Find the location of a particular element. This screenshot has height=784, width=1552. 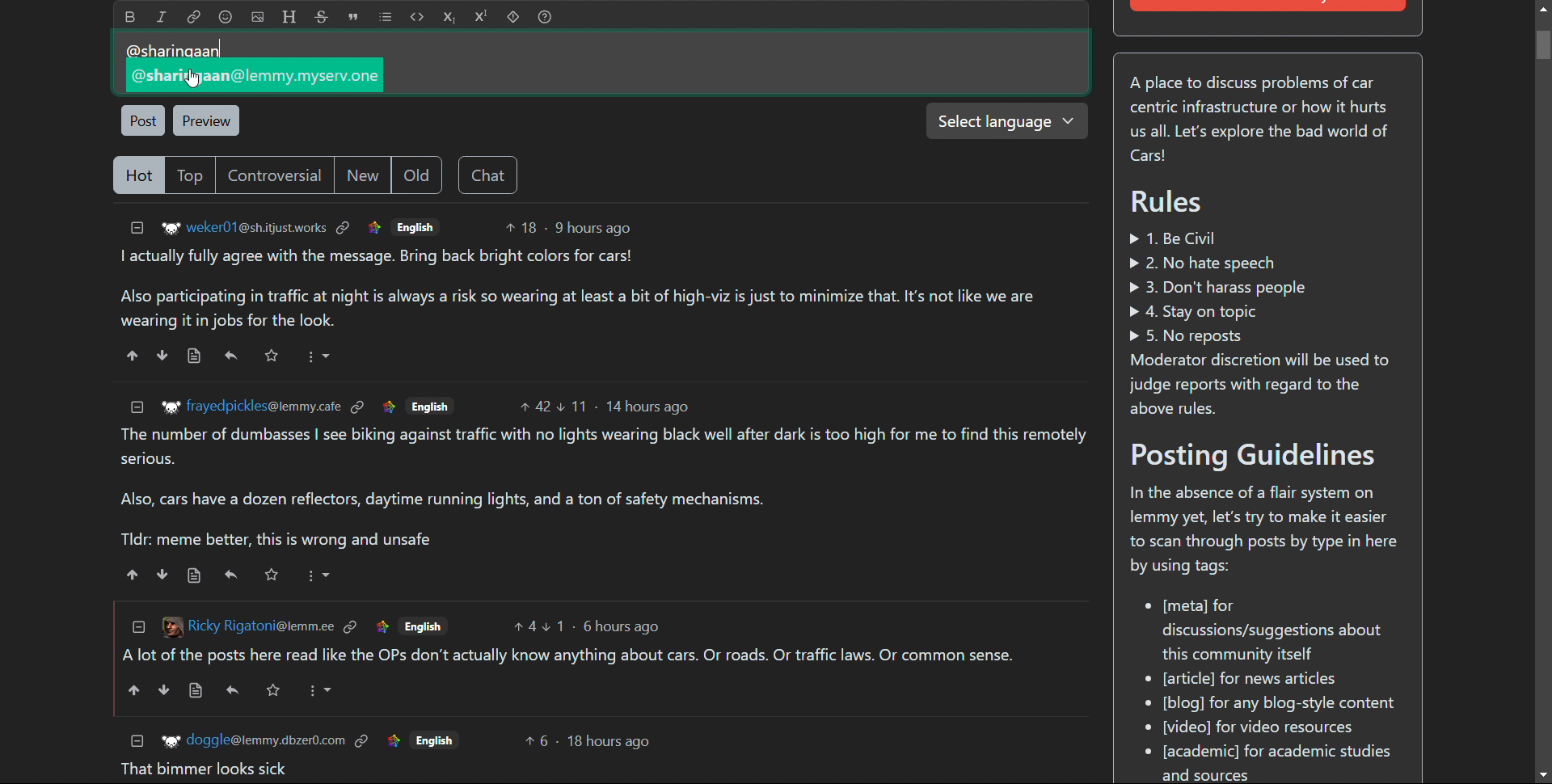

spoiler is located at coordinates (512, 17).